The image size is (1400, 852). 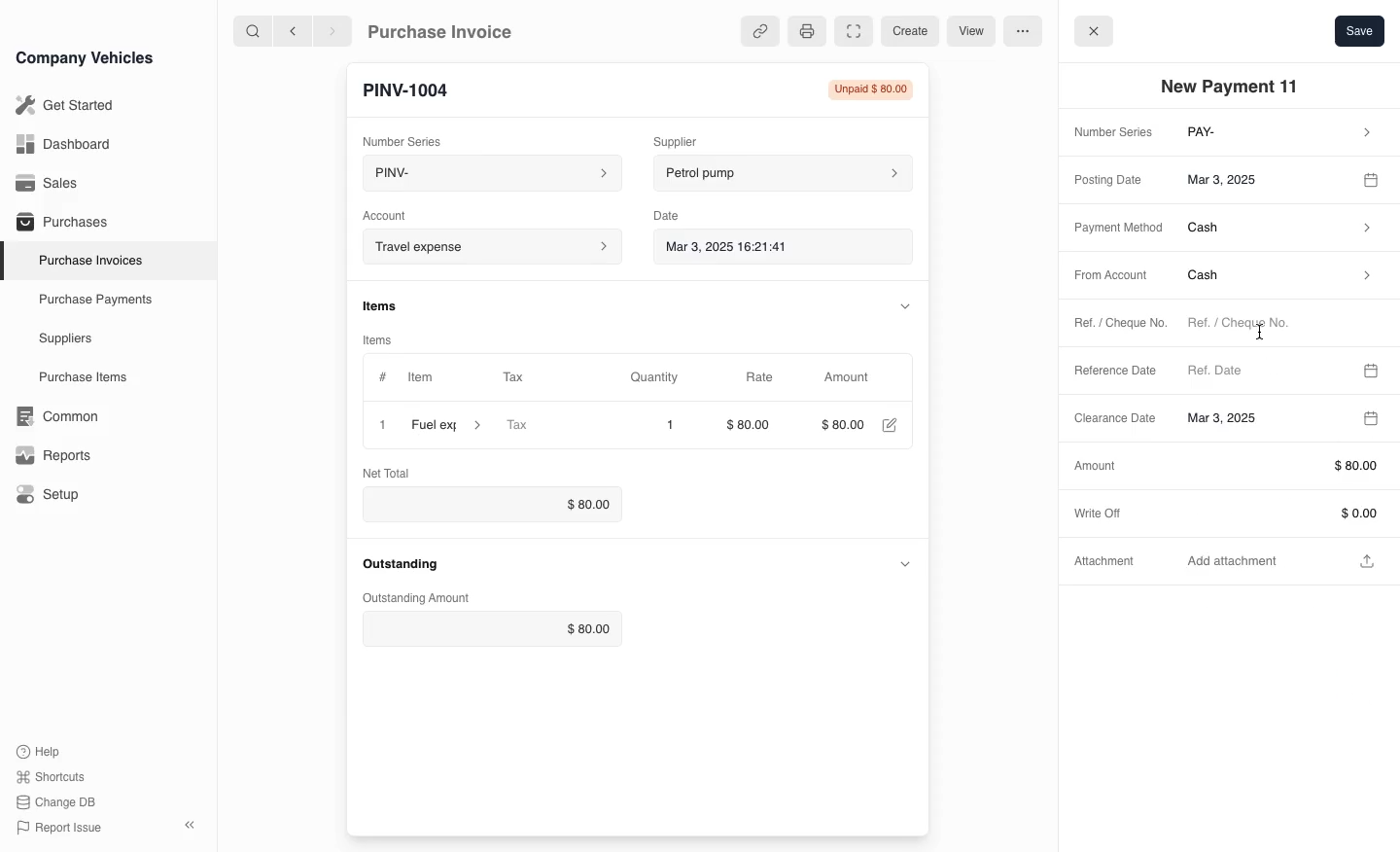 What do you see at coordinates (1108, 420) in the screenshot?
I see `Clearance Date` at bounding box center [1108, 420].